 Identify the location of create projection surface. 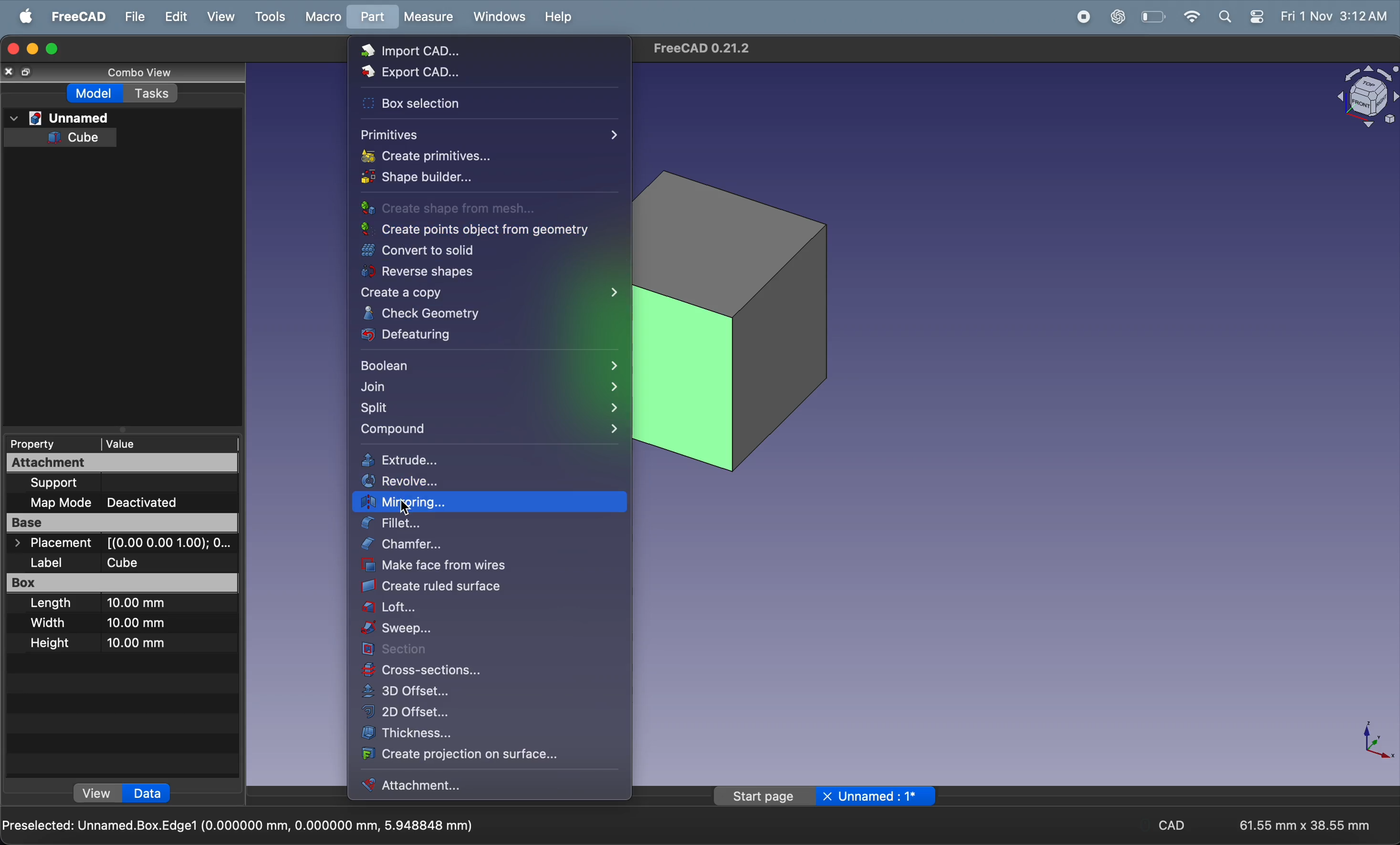
(482, 756).